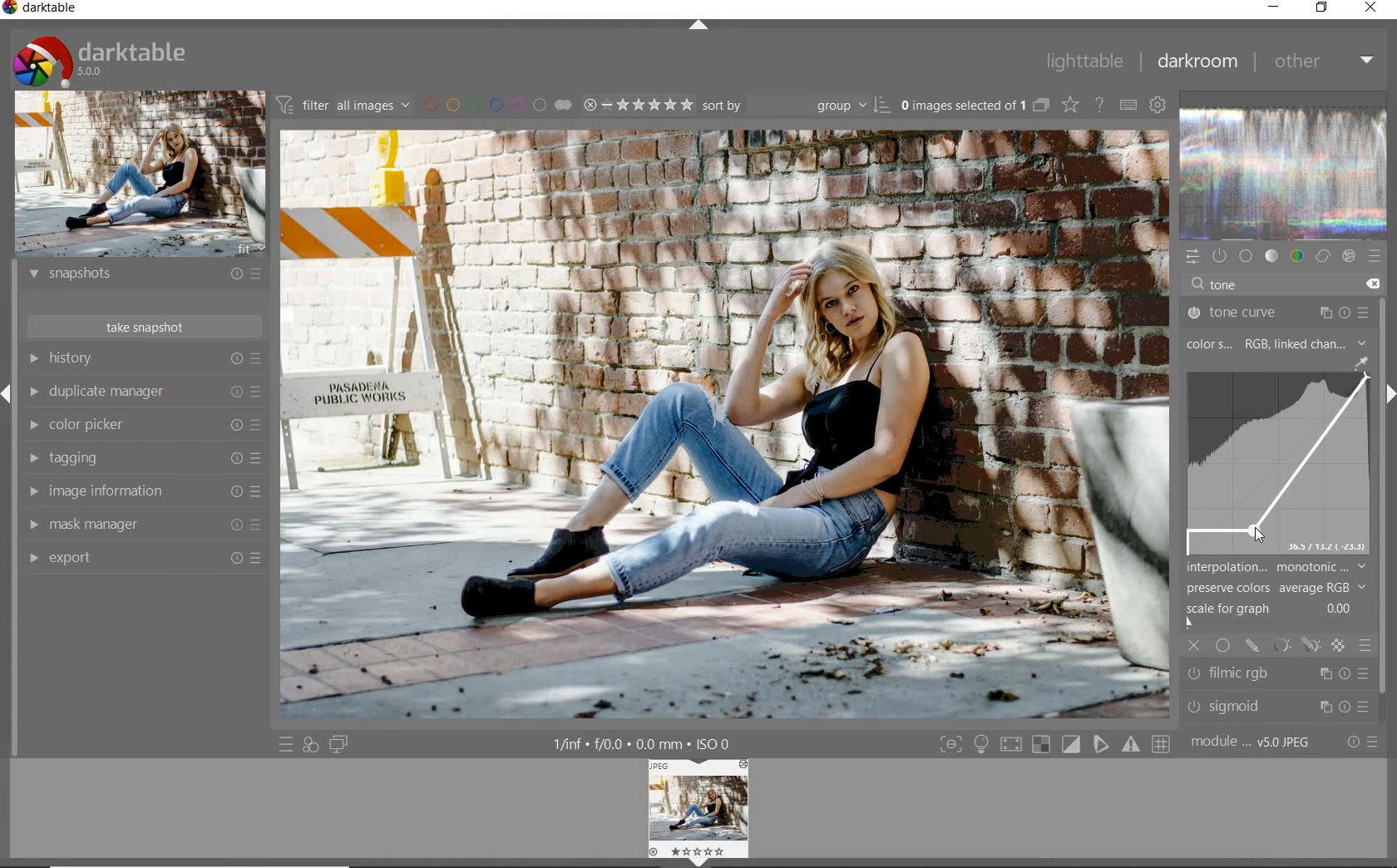 The width and height of the screenshot is (1397, 868). I want to click on mask manager, so click(141, 523).